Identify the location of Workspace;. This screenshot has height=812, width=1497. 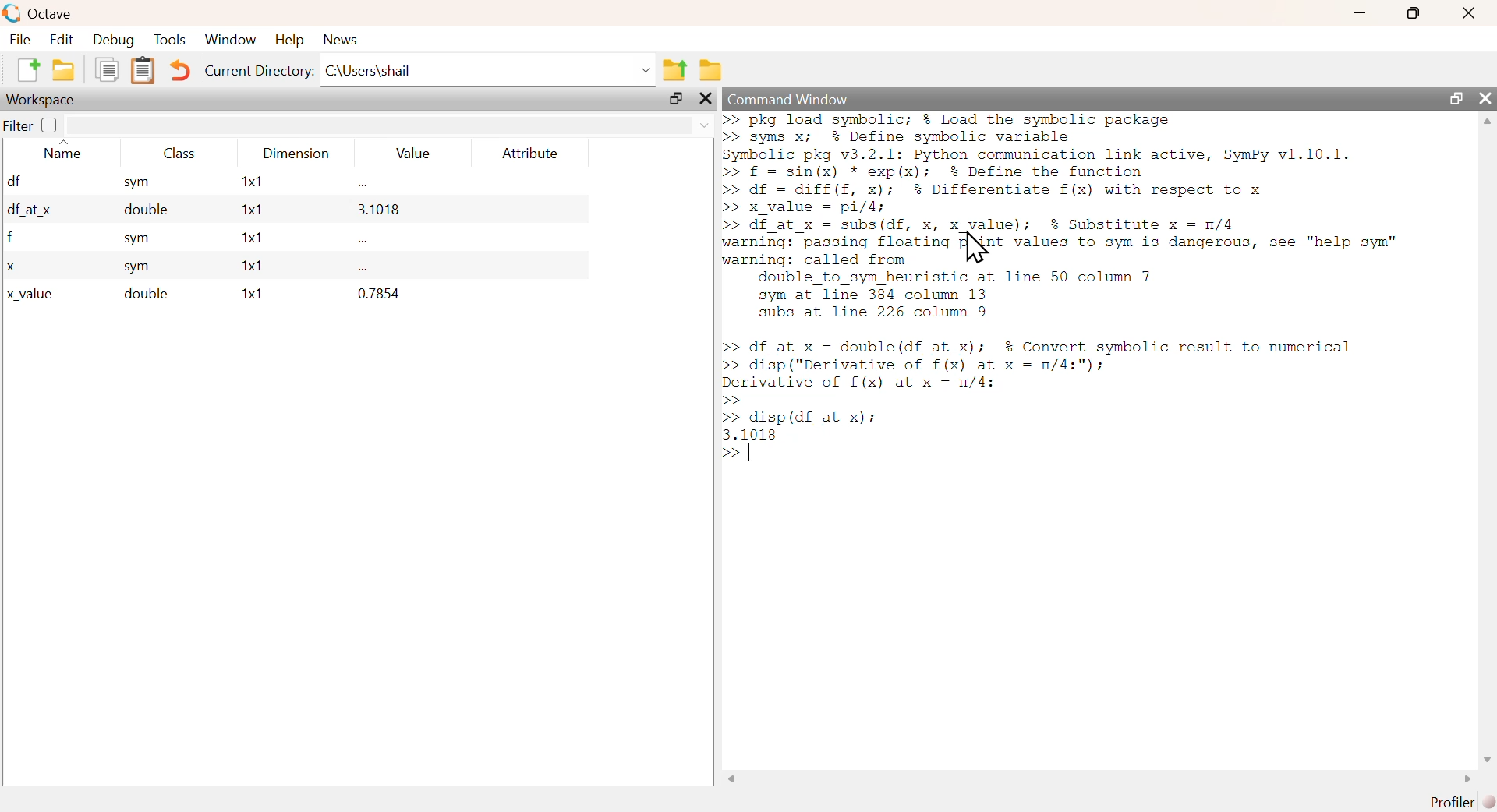
(41, 100).